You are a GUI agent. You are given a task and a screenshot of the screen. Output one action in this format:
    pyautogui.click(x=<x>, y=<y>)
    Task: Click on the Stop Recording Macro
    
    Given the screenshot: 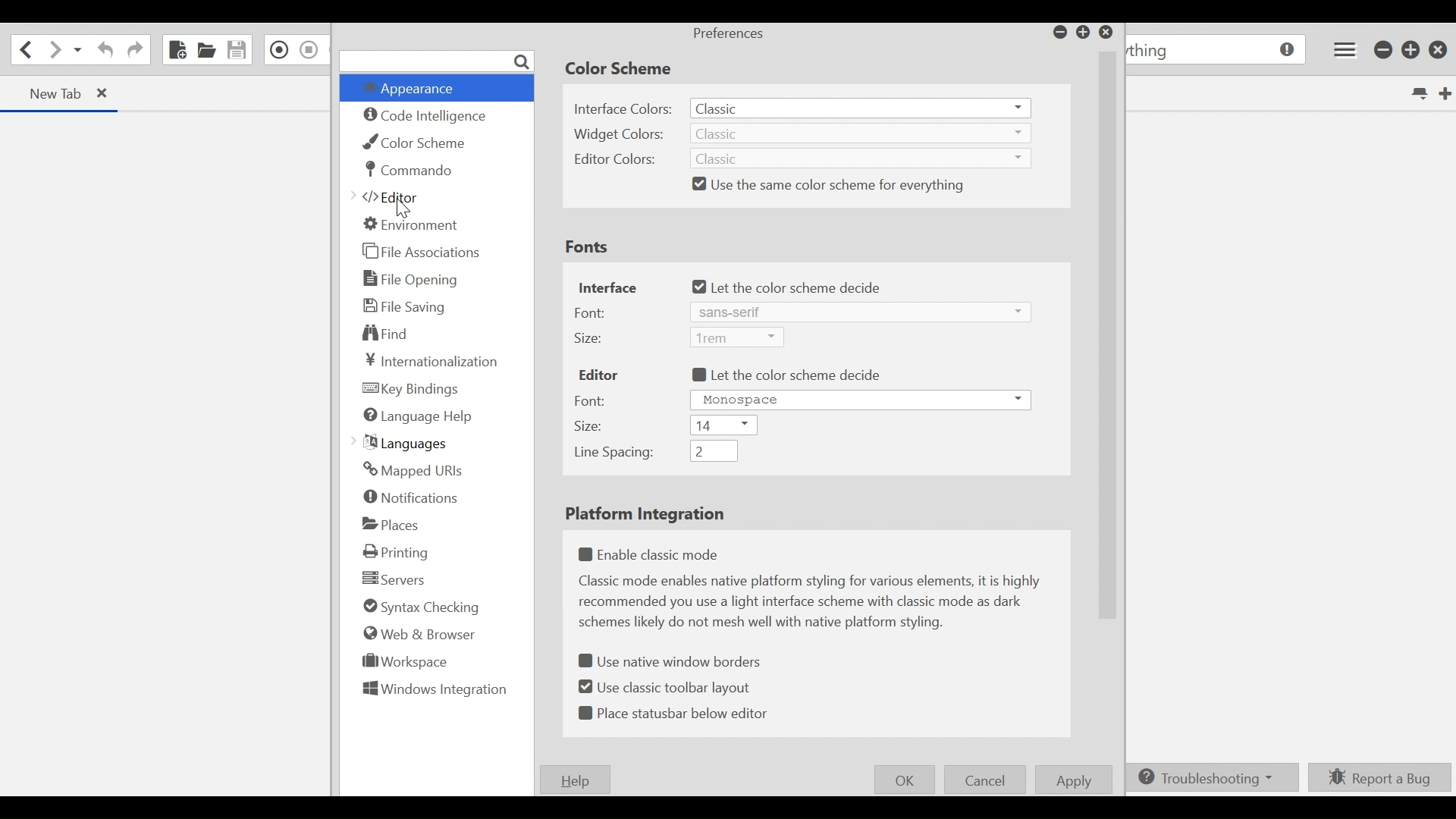 What is the action you would take?
    pyautogui.click(x=309, y=50)
    